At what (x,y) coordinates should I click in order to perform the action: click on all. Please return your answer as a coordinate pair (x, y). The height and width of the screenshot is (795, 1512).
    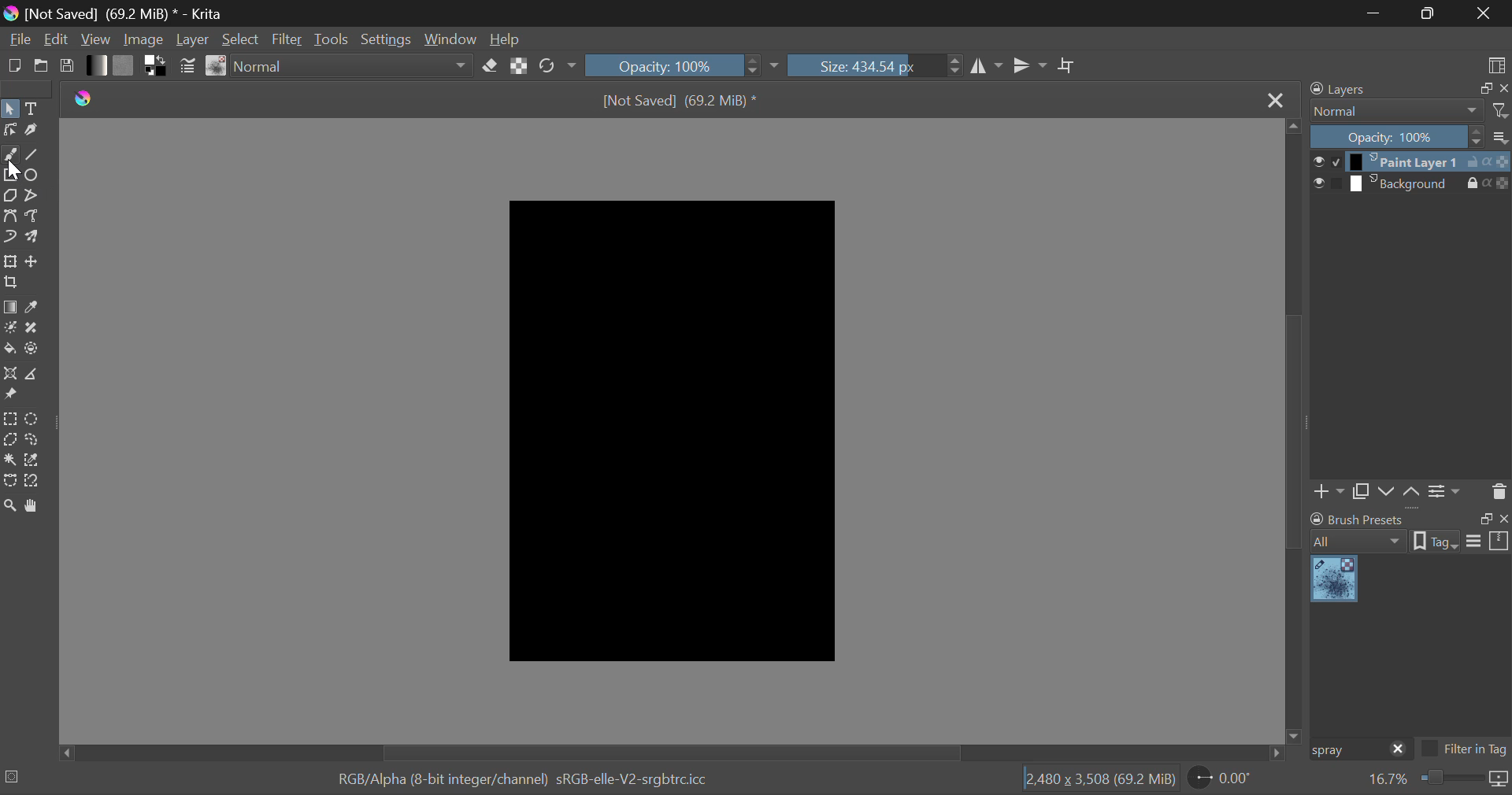
    Looking at the image, I should click on (1360, 542).